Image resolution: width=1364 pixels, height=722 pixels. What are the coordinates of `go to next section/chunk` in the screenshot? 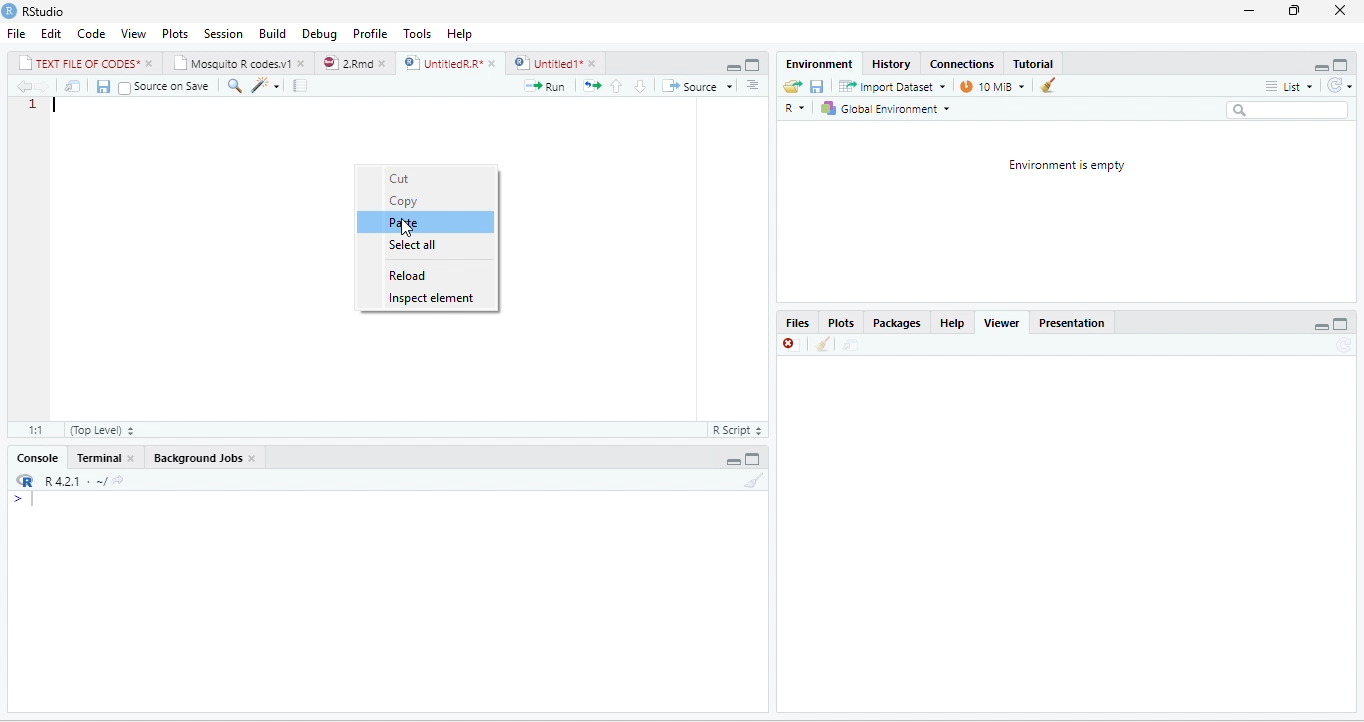 It's located at (639, 85).